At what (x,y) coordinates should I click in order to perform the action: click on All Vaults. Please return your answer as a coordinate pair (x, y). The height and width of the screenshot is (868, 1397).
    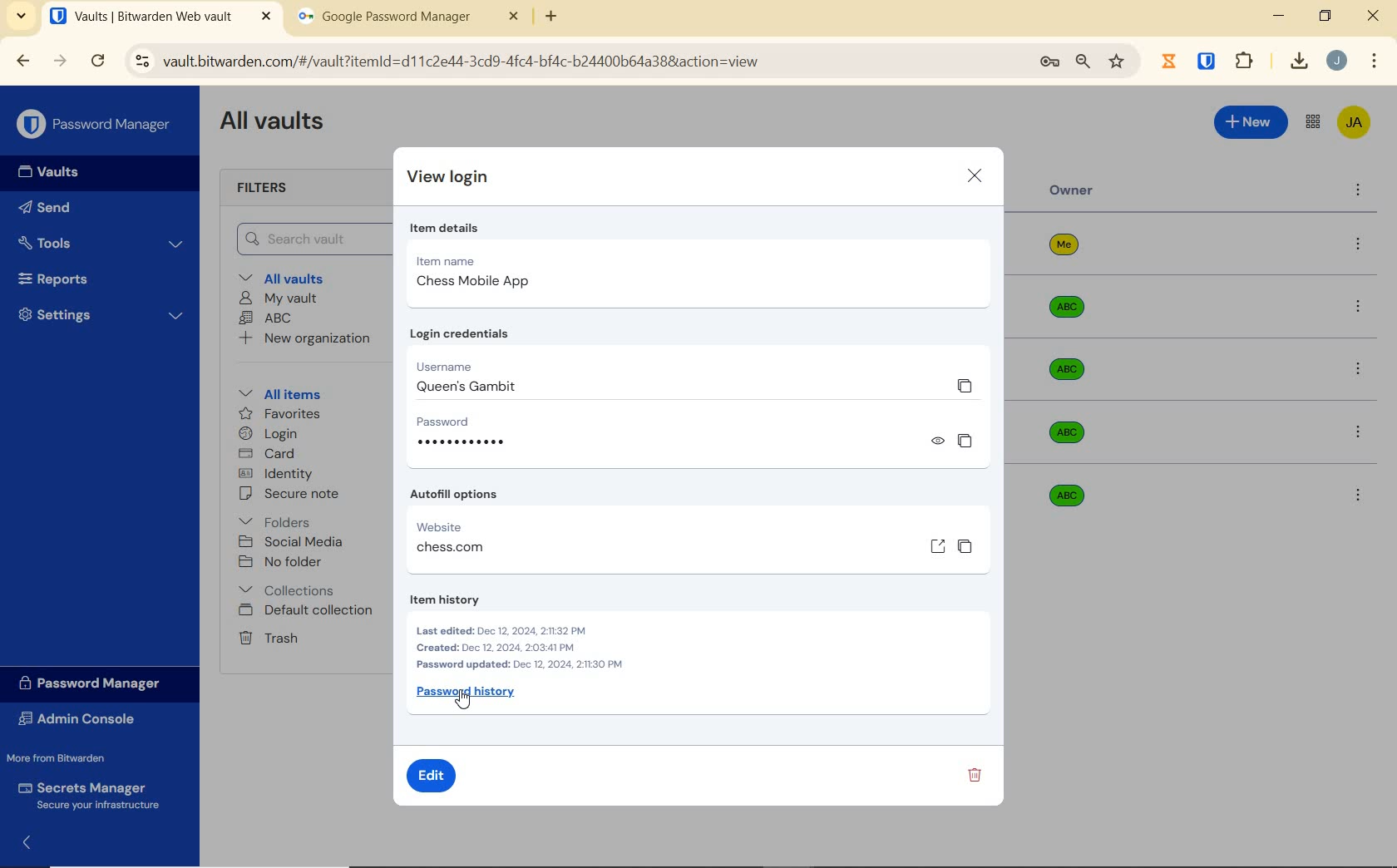
    Looking at the image, I should click on (274, 123).